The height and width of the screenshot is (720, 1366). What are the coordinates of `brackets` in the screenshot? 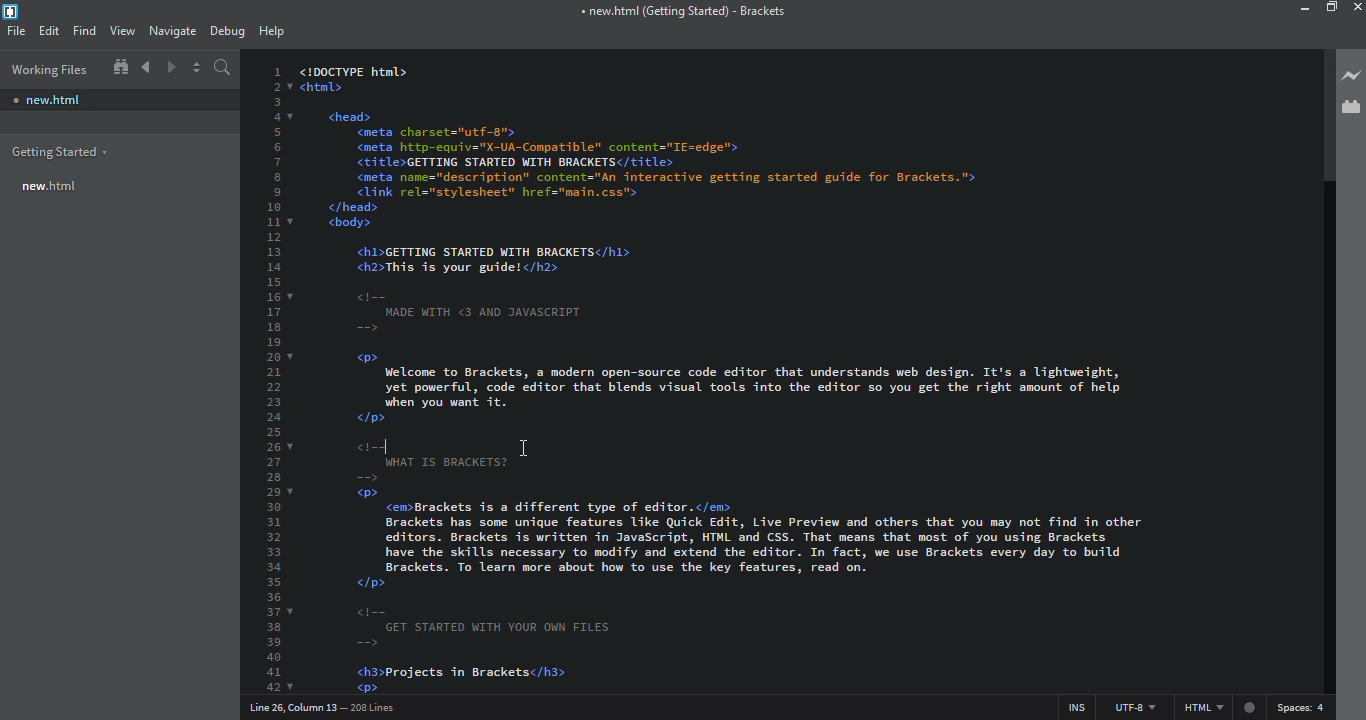 It's located at (681, 13).